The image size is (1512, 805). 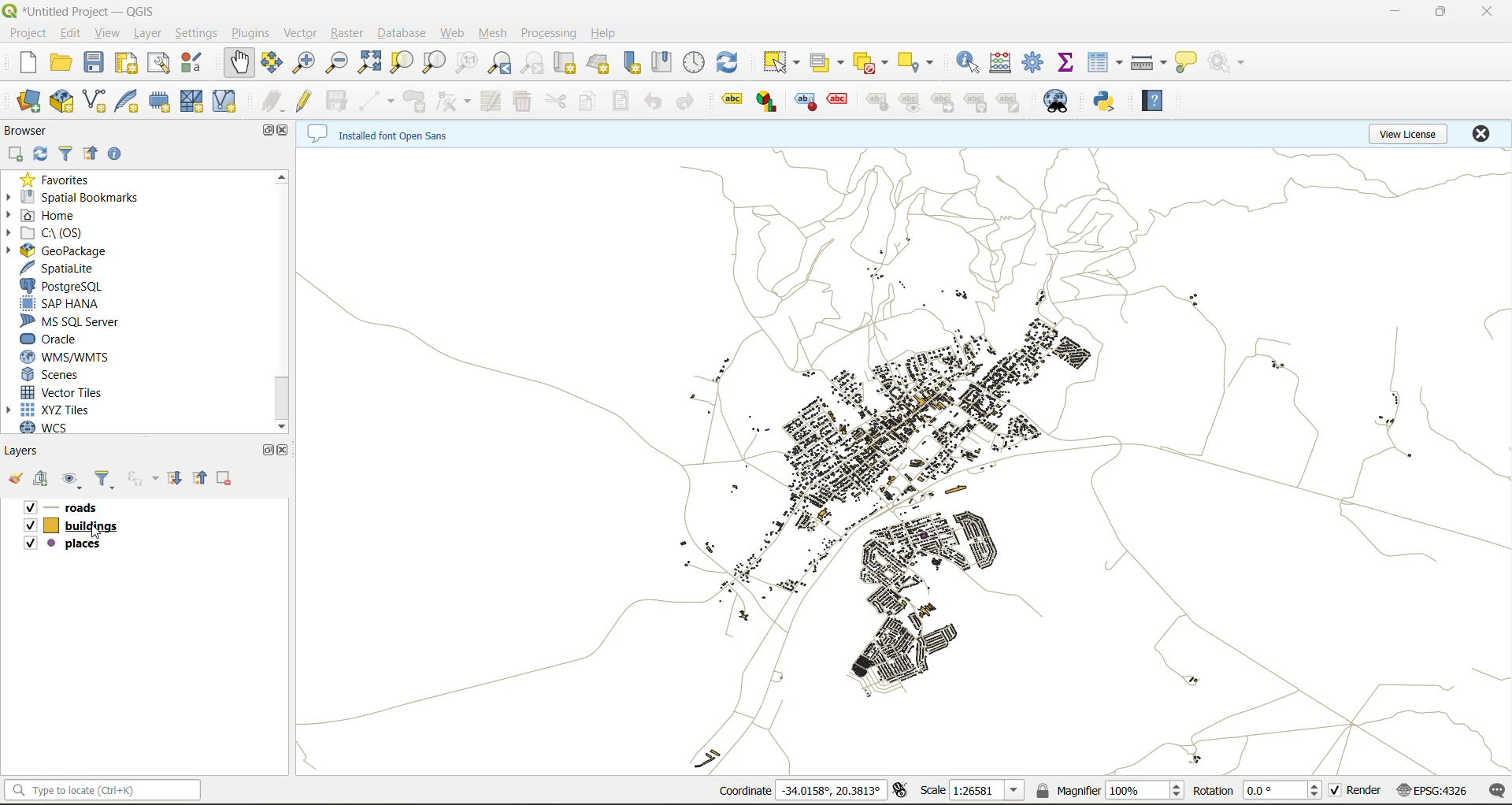 What do you see at coordinates (973, 792) in the screenshot?
I see `scale` at bounding box center [973, 792].